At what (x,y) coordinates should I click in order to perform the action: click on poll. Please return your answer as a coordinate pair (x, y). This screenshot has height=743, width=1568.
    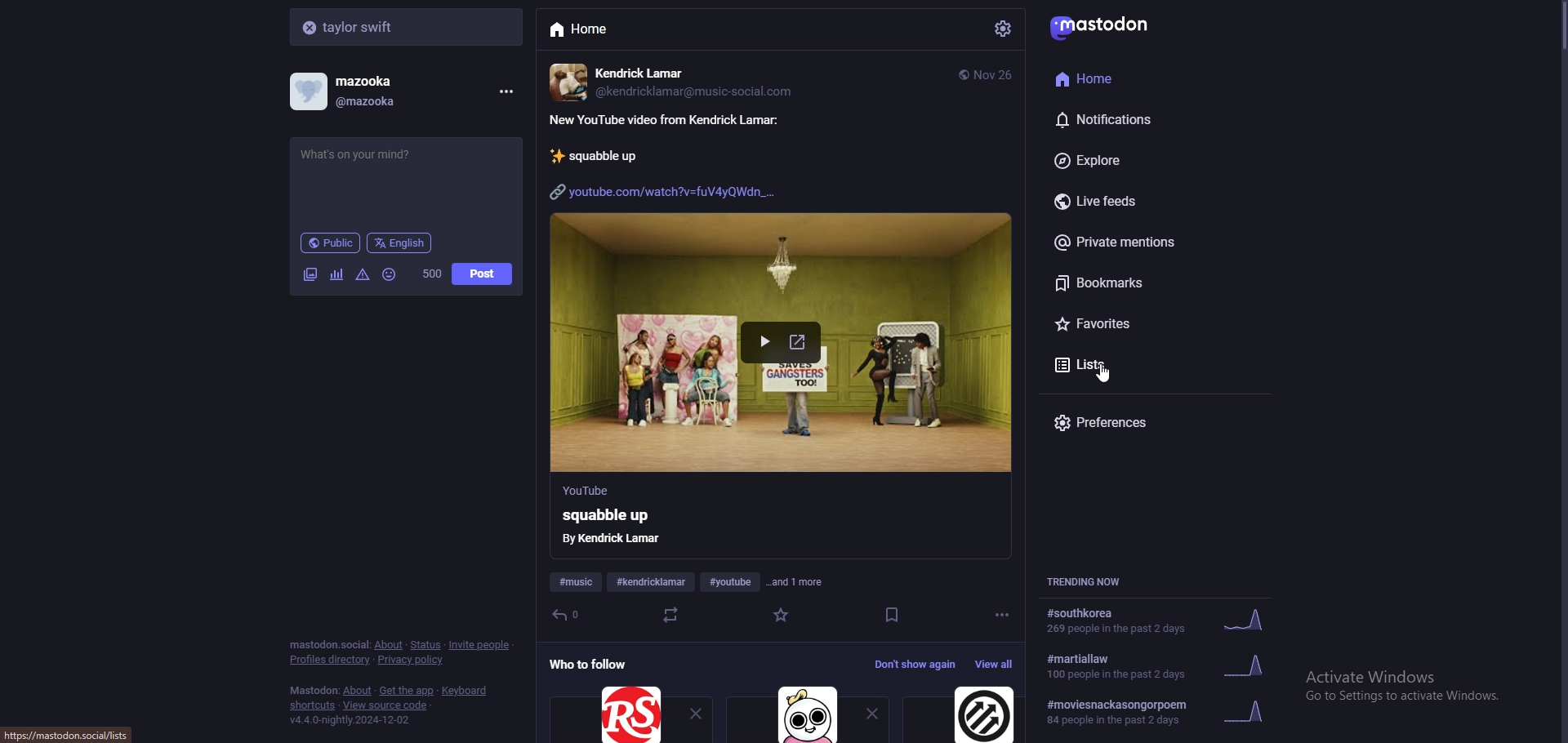
    Looking at the image, I should click on (336, 274).